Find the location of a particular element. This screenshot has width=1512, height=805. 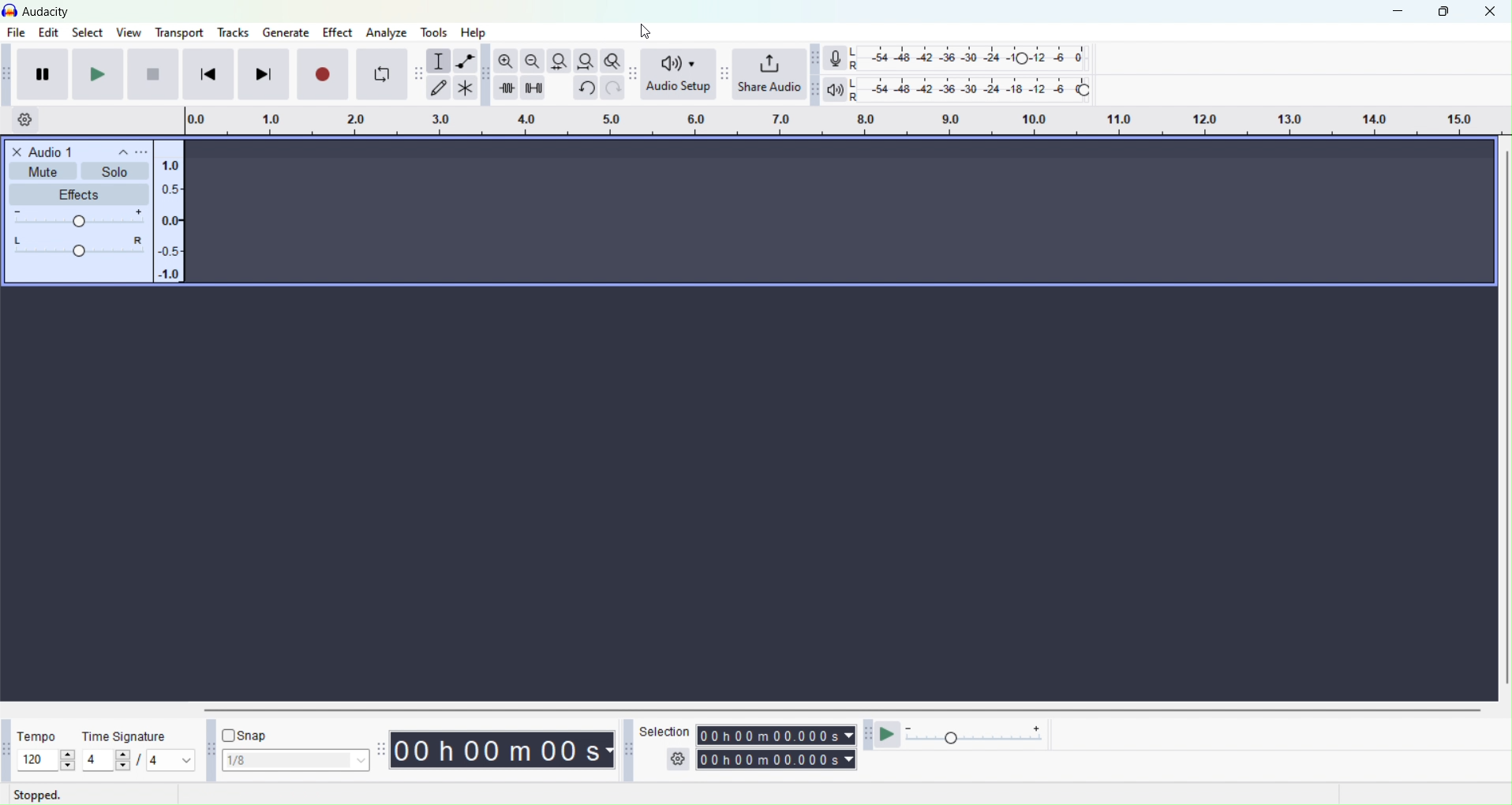

Audacity transport toolbar is located at coordinates (9, 73).